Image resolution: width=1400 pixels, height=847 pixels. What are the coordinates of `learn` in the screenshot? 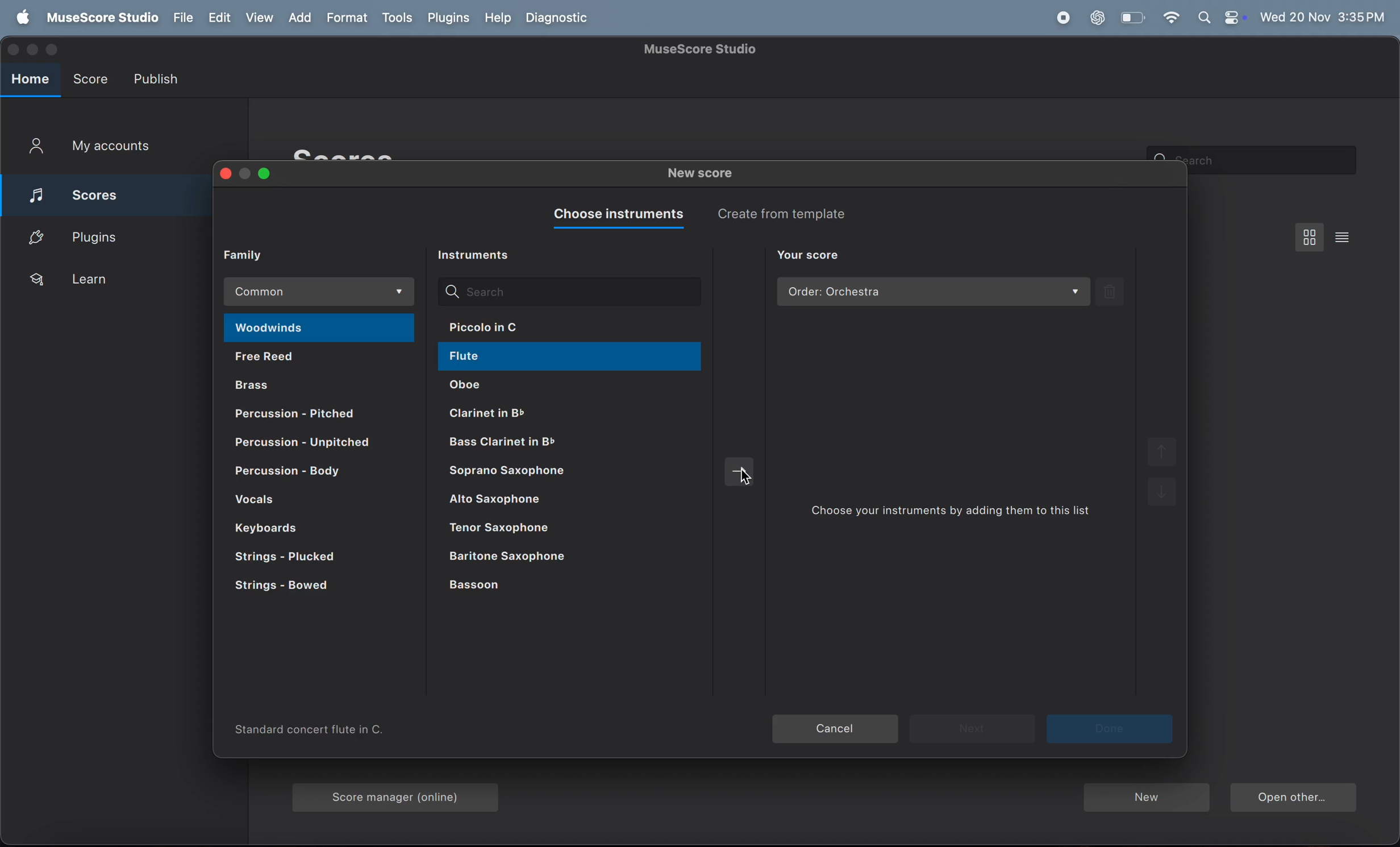 It's located at (106, 280).